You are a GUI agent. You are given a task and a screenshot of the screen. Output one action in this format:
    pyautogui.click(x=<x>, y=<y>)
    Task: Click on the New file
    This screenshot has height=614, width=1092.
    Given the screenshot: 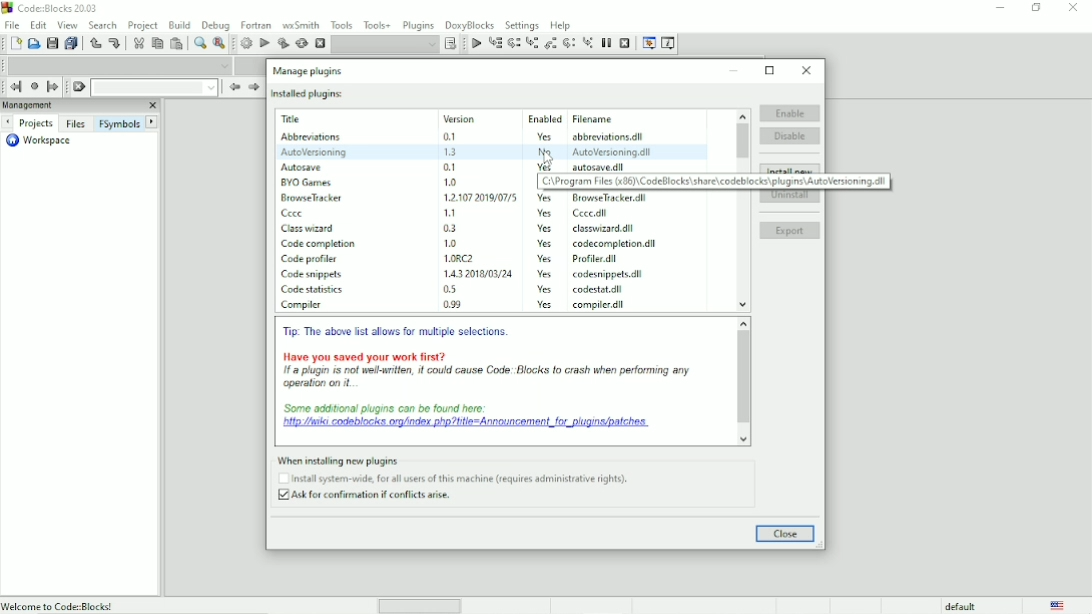 What is the action you would take?
    pyautogui.click(x=14, y=43)
    